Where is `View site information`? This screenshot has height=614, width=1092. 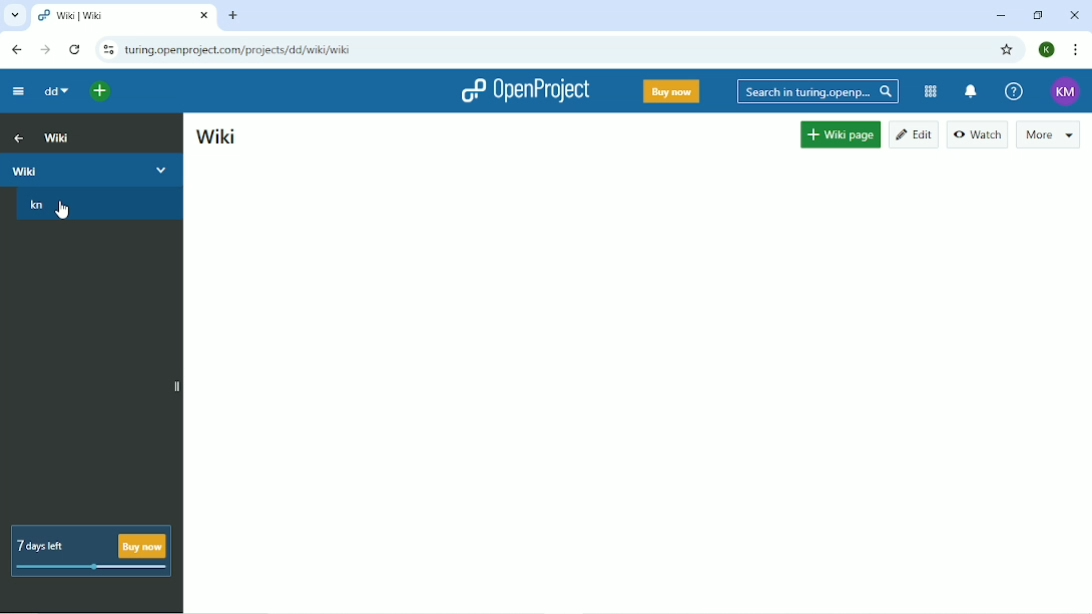
View site information is located at coordinates (107, 51).